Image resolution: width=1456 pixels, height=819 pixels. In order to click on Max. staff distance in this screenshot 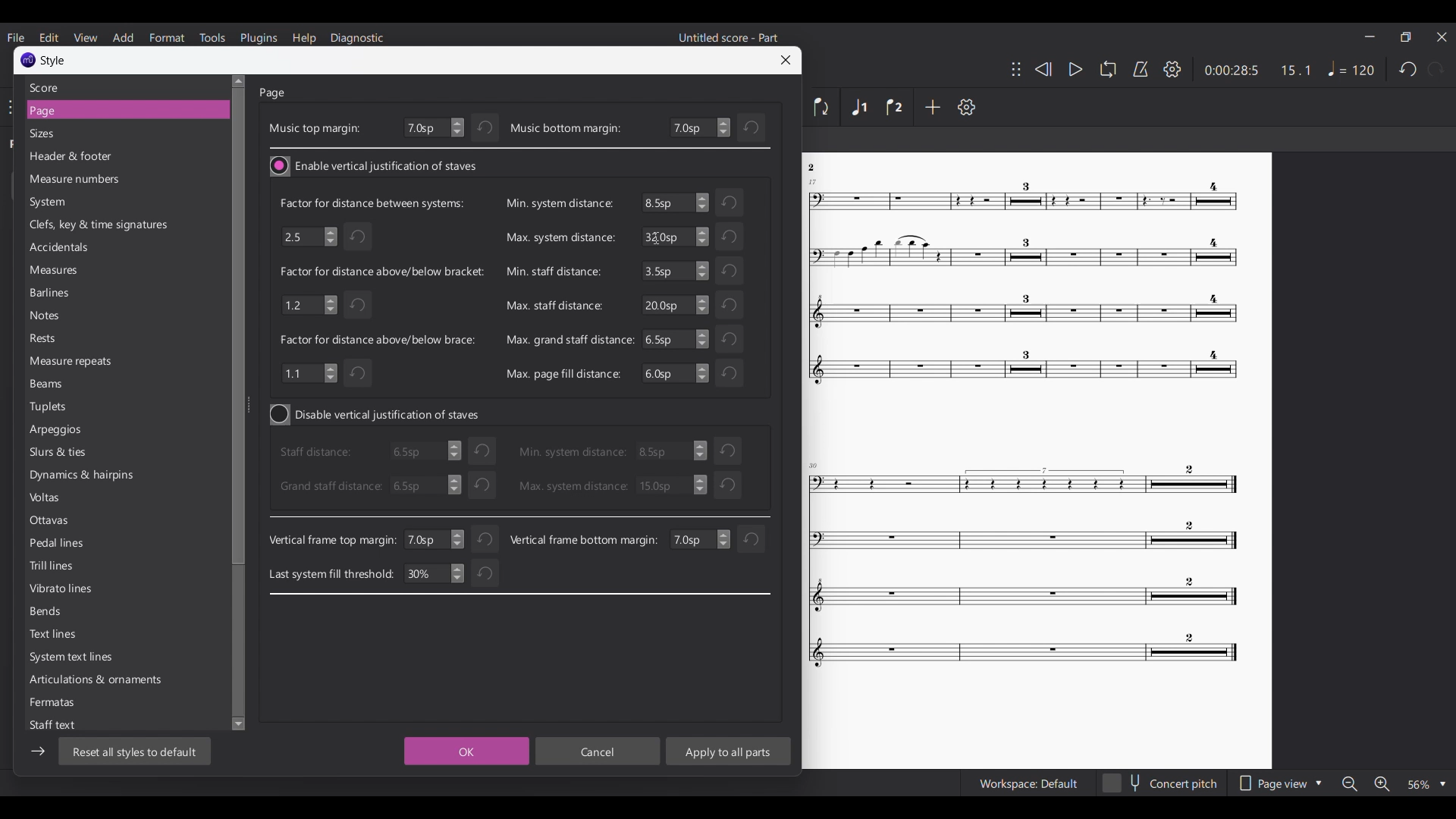, I will do `click(552, 306)`.